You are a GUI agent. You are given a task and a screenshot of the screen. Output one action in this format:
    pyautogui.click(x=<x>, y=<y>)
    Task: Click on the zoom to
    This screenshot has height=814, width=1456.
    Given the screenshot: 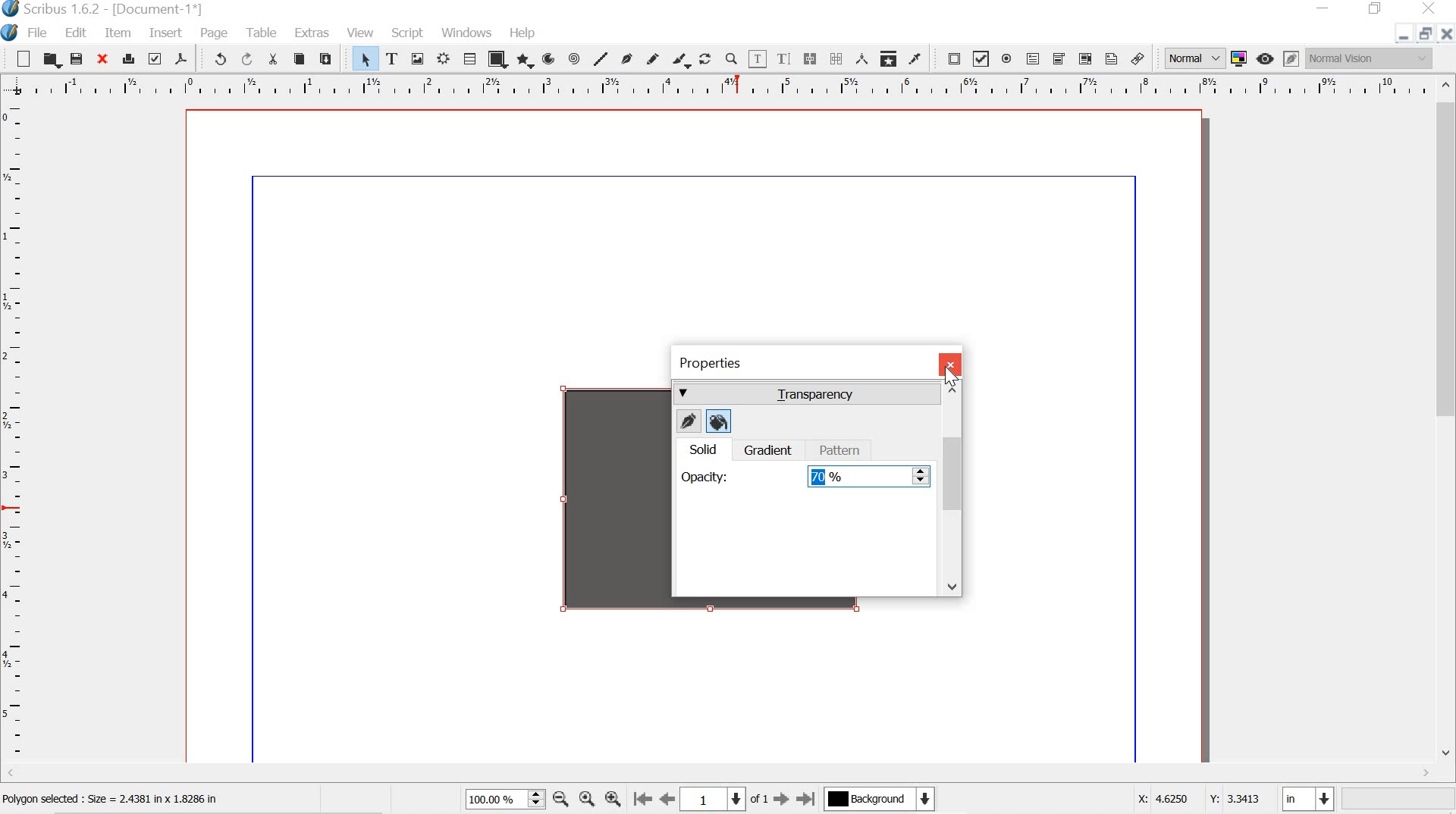 What is the action you would take?
    pyautogui.click(x=585, y=799)
    